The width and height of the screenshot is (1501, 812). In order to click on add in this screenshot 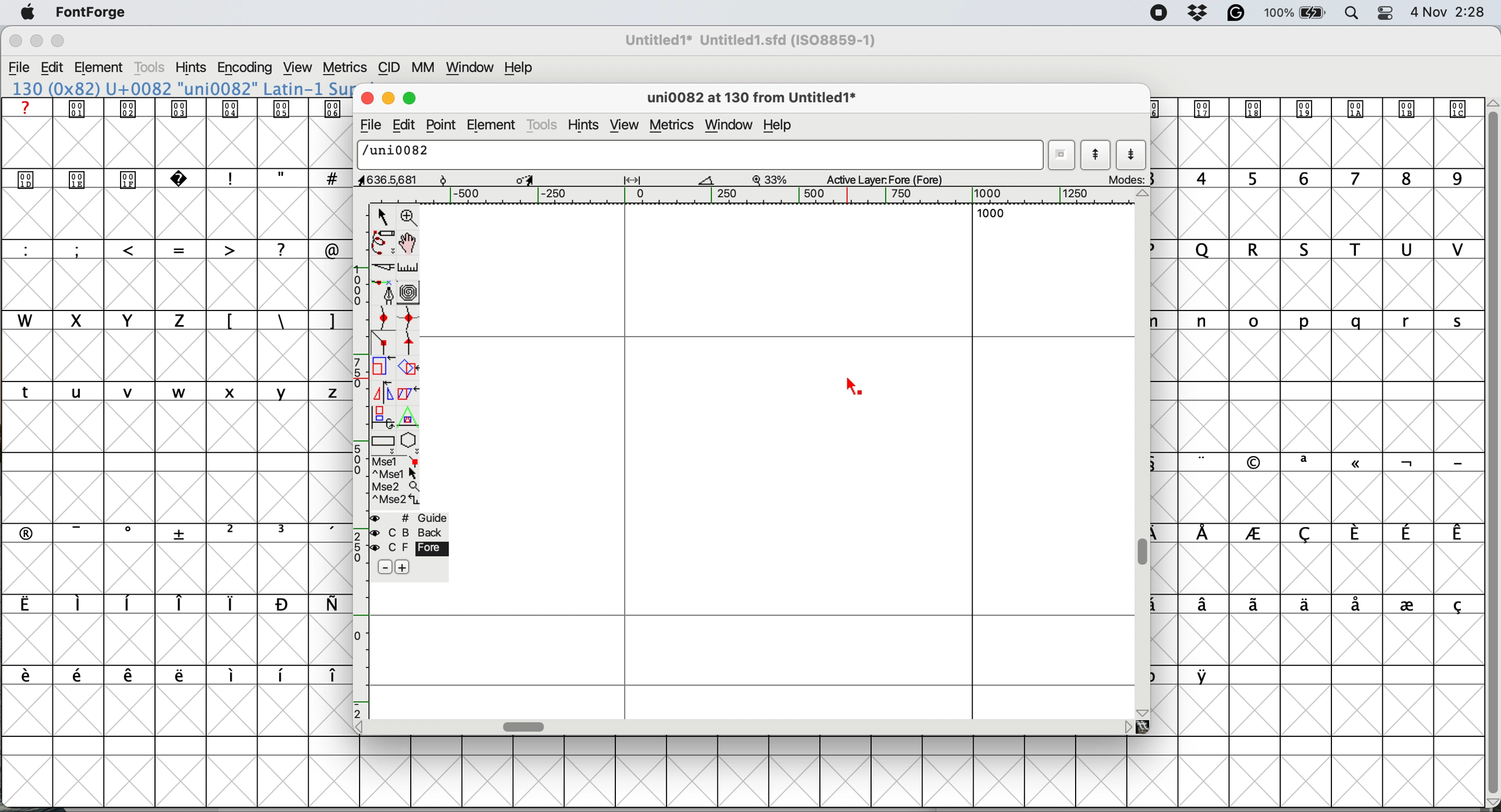, I will do `click(401, 567)`.